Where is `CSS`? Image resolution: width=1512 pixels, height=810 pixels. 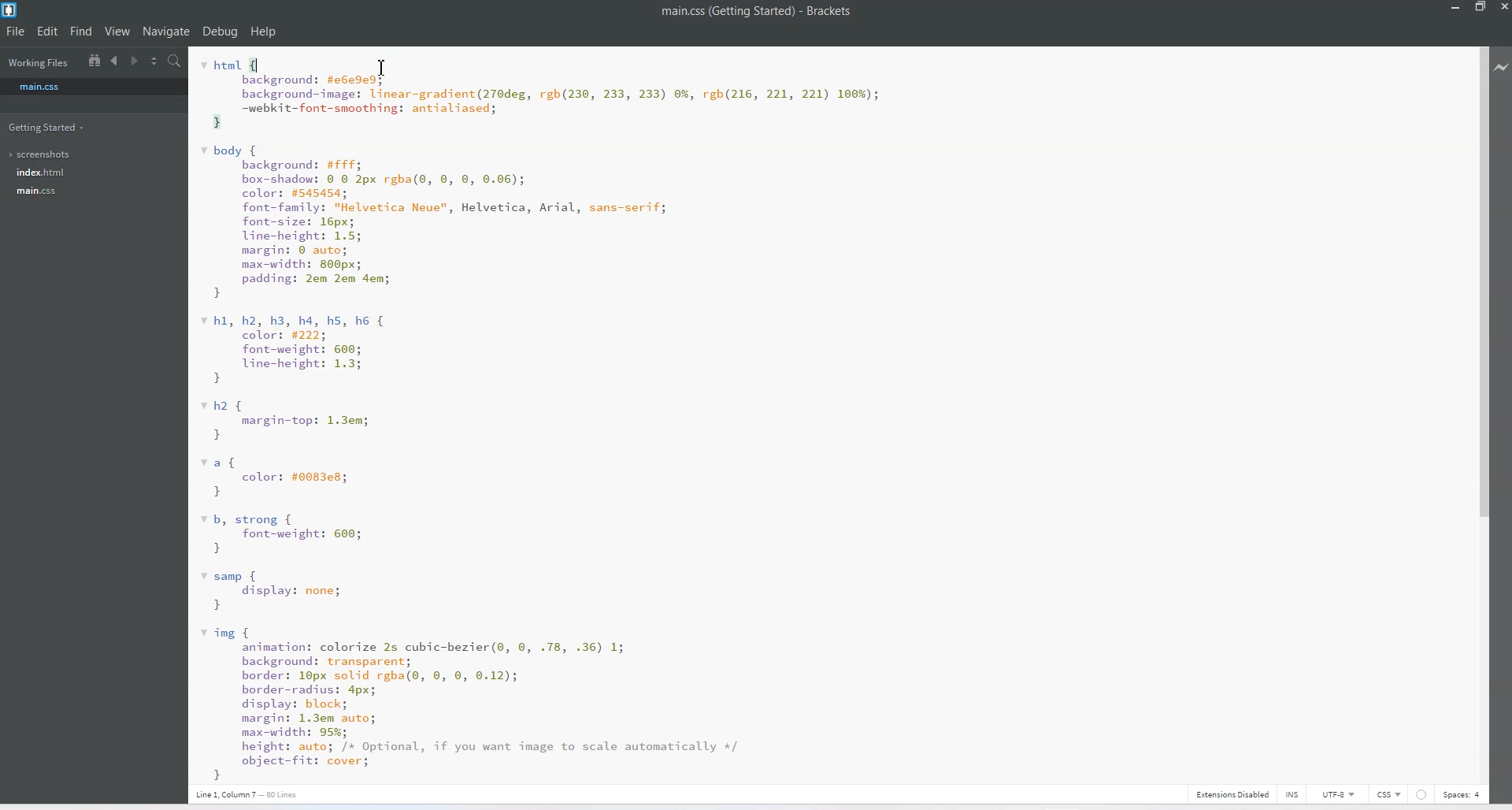 CSS is located at coordinates (1388, 794).